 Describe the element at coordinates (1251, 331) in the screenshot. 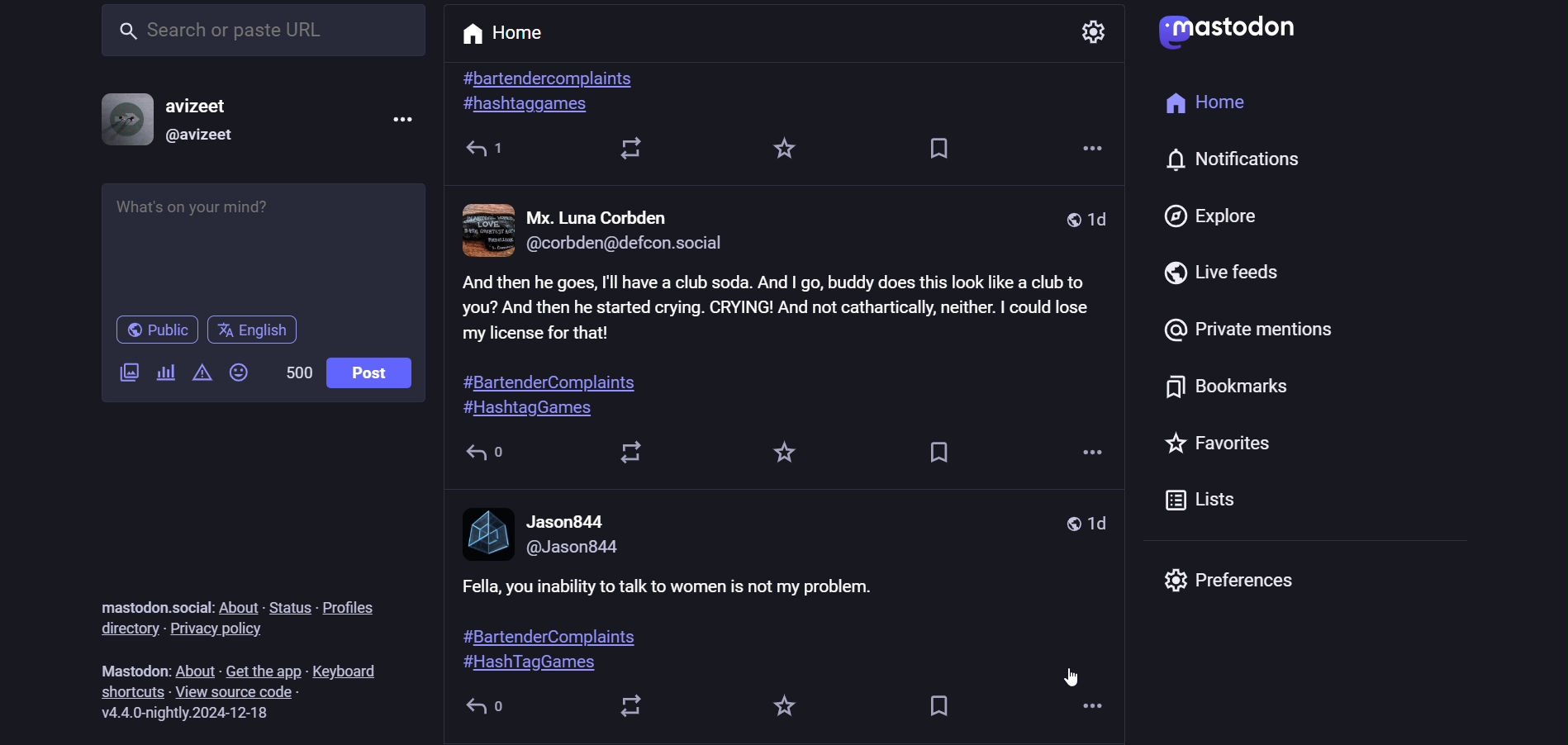

I see `private mentions` at that location.